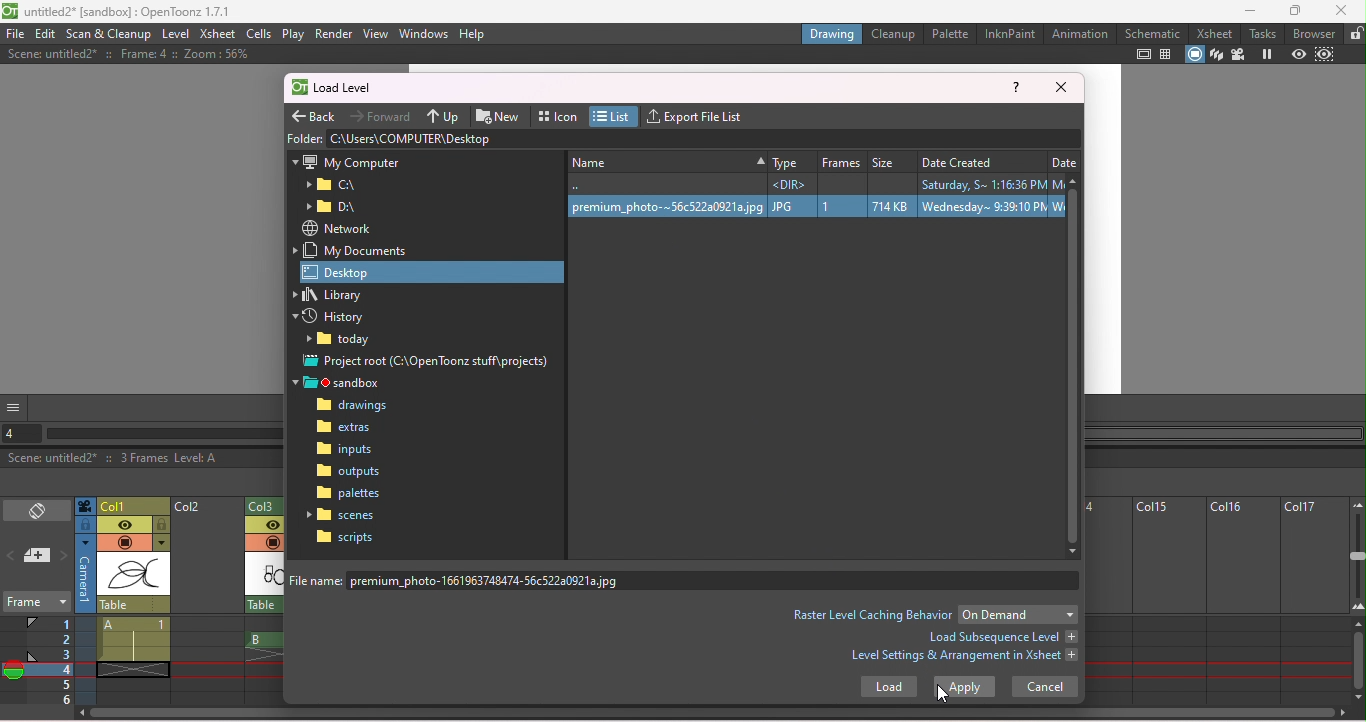  Describe the element at coordinates (383, 115) in the screenshot. I see `Forward` at that location.